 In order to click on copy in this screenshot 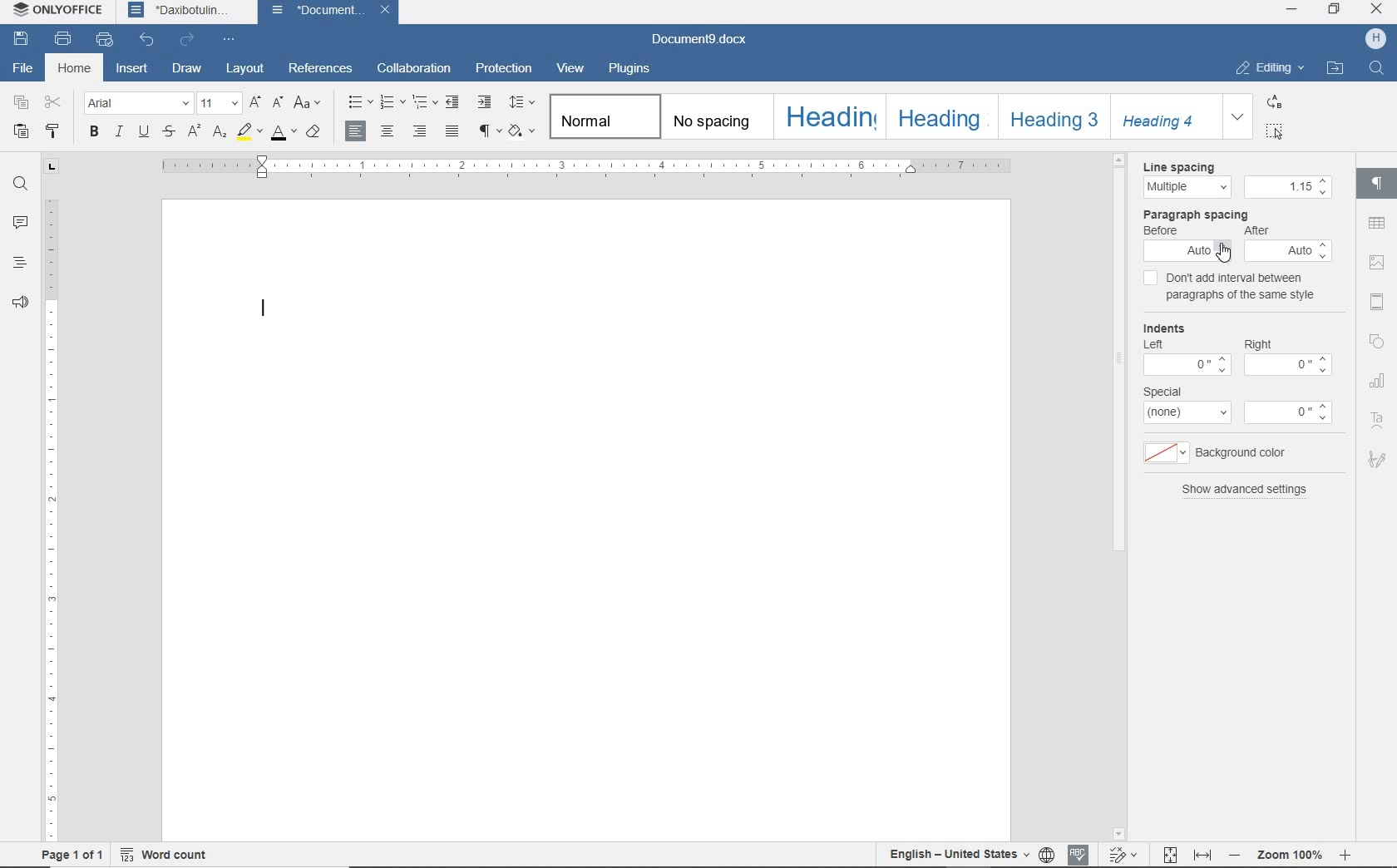, I will do `click(20, 103)`.